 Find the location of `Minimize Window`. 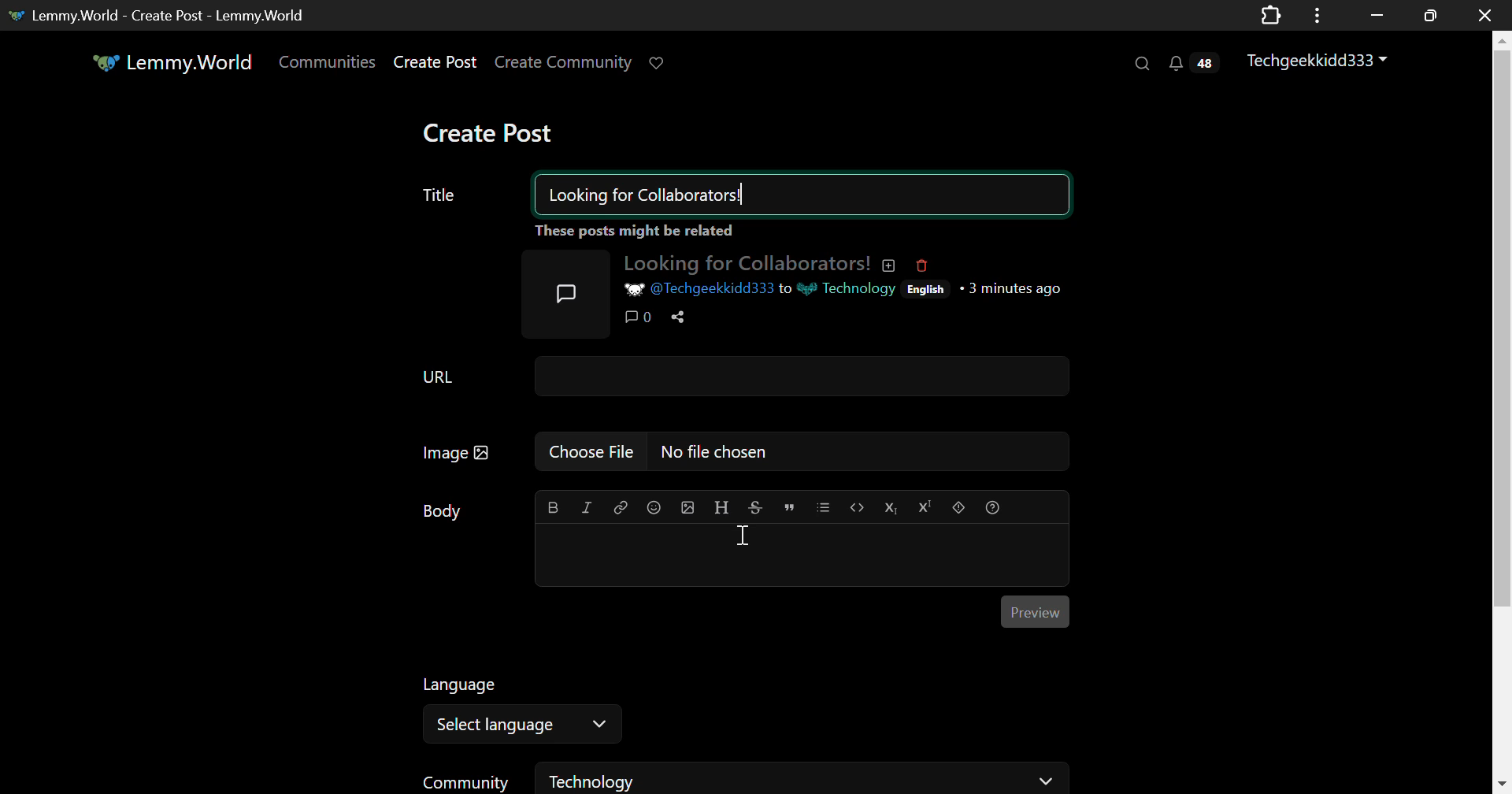

Minimize Window is located at coordinates (1427, 15).